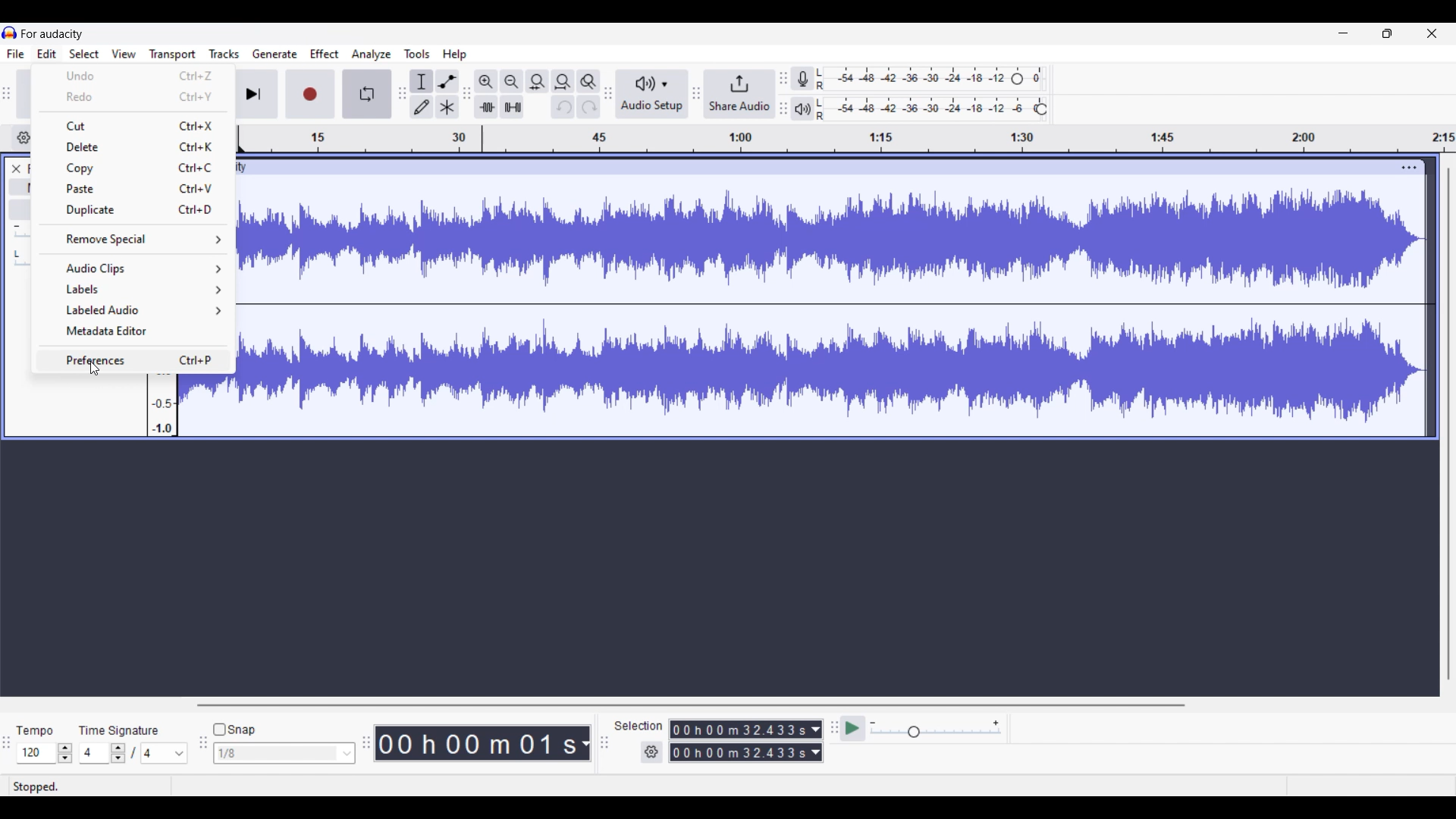  Describe the element at coordinates (165, 753) in the screenshot. I see `Options for max. time signature` at that location.